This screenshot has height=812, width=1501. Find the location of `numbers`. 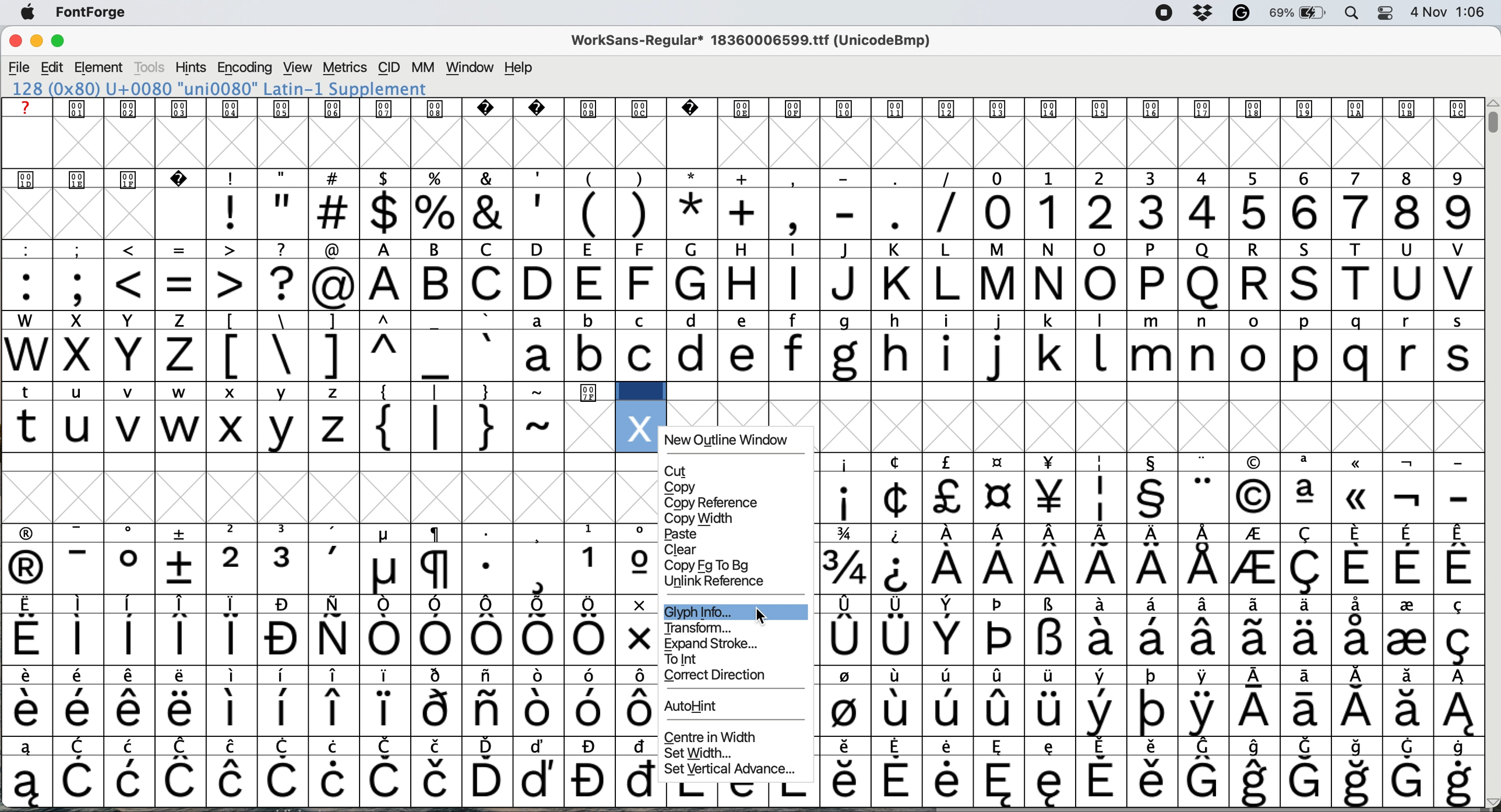

numbers is located at coordinates (1227, 211).